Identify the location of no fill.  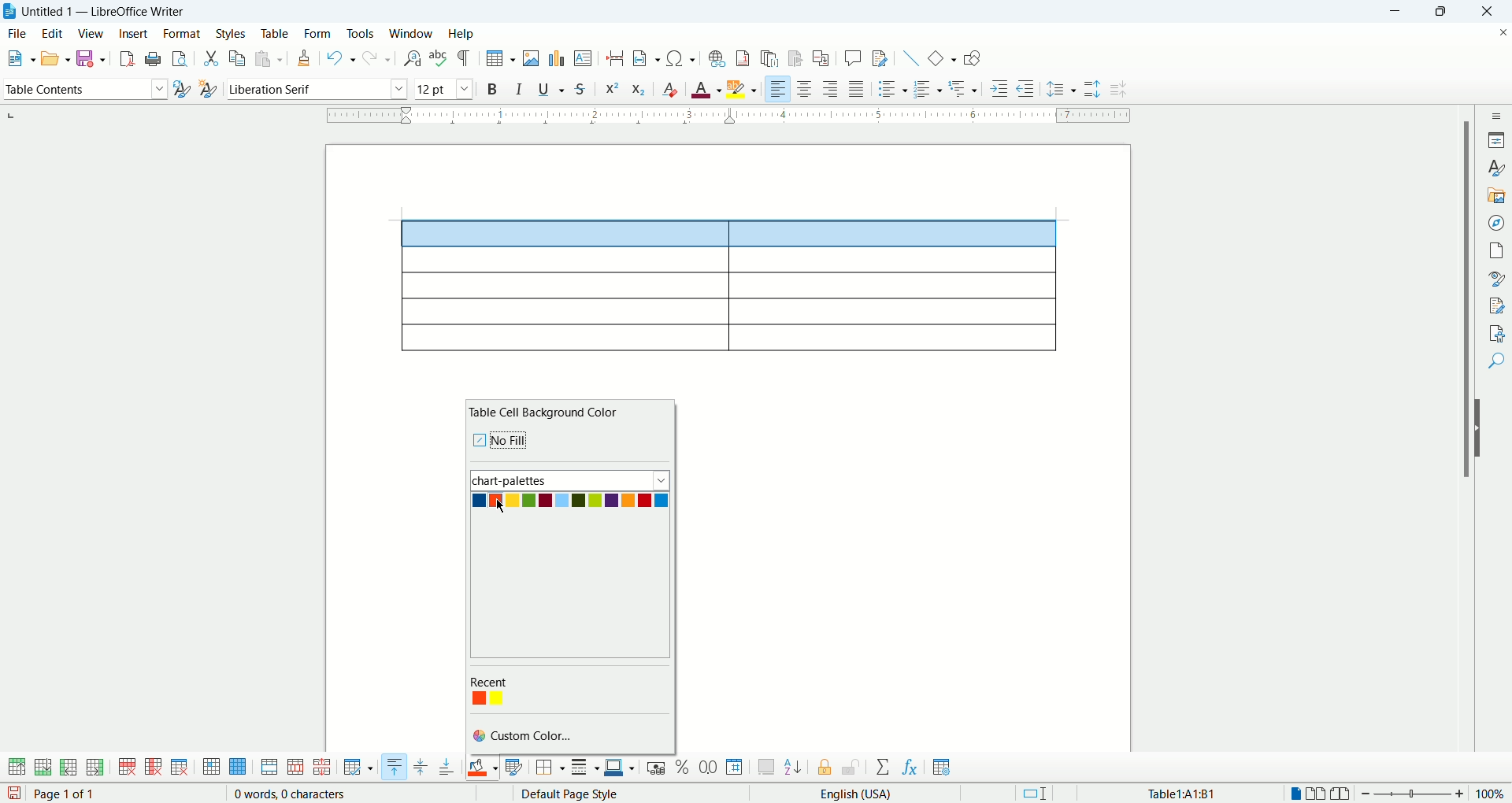
(517, 438).